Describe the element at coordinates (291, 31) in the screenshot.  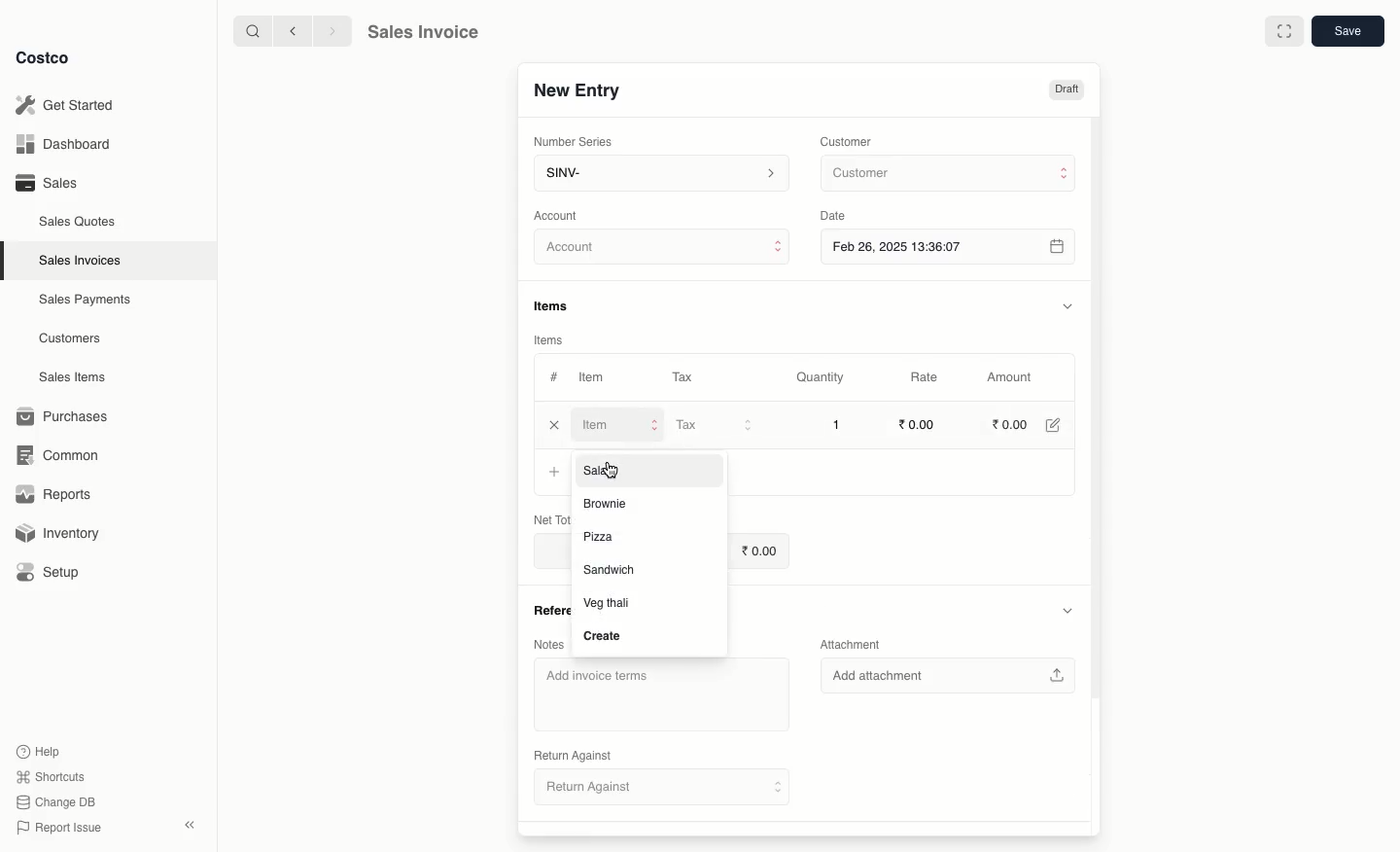
I see `Back` at that location.